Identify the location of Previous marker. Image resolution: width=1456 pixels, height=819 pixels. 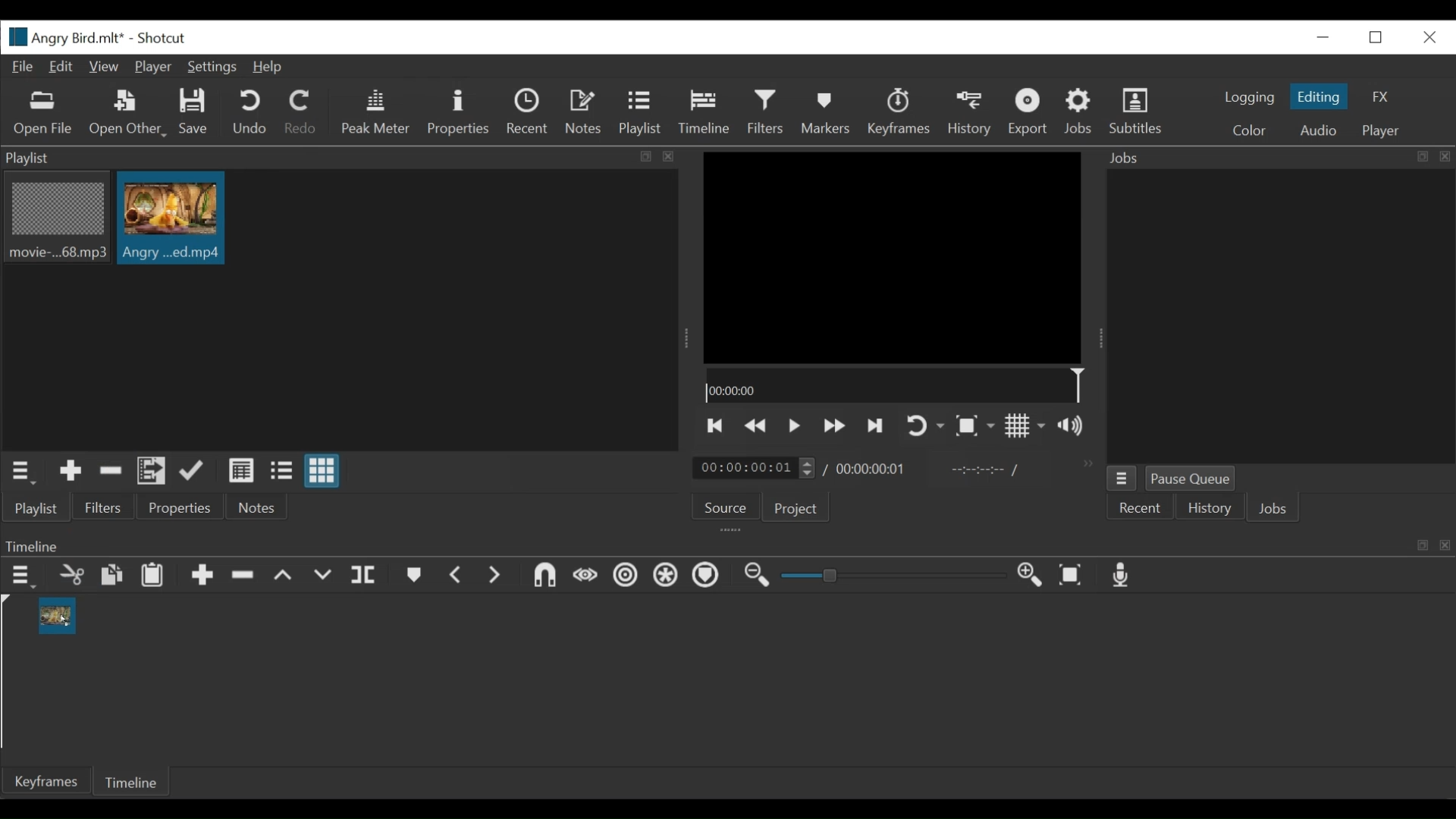
(458, 576).